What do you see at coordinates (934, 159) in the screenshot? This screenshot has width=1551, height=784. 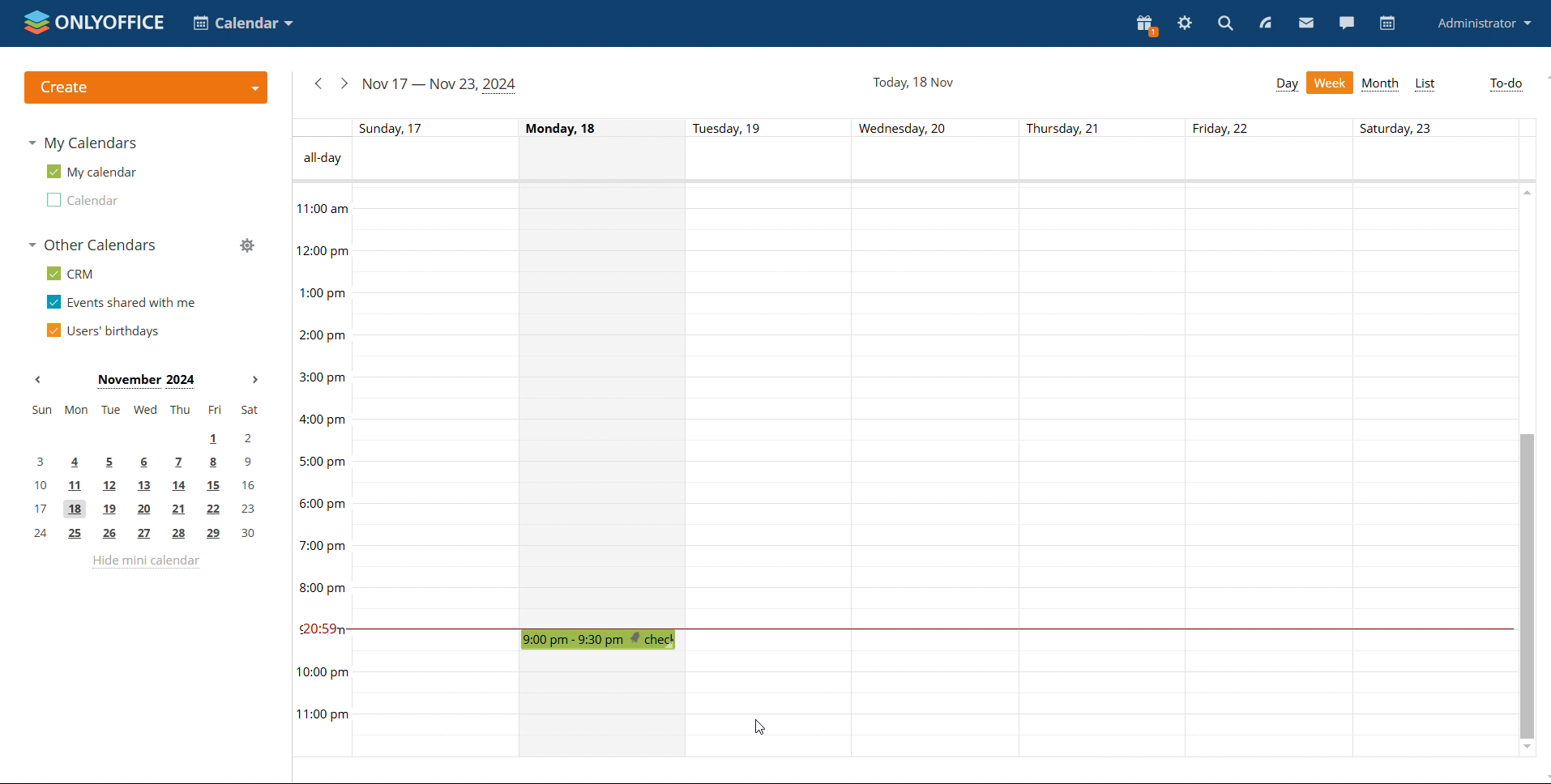 I see `all-day event` at bounding box center [934, 159].